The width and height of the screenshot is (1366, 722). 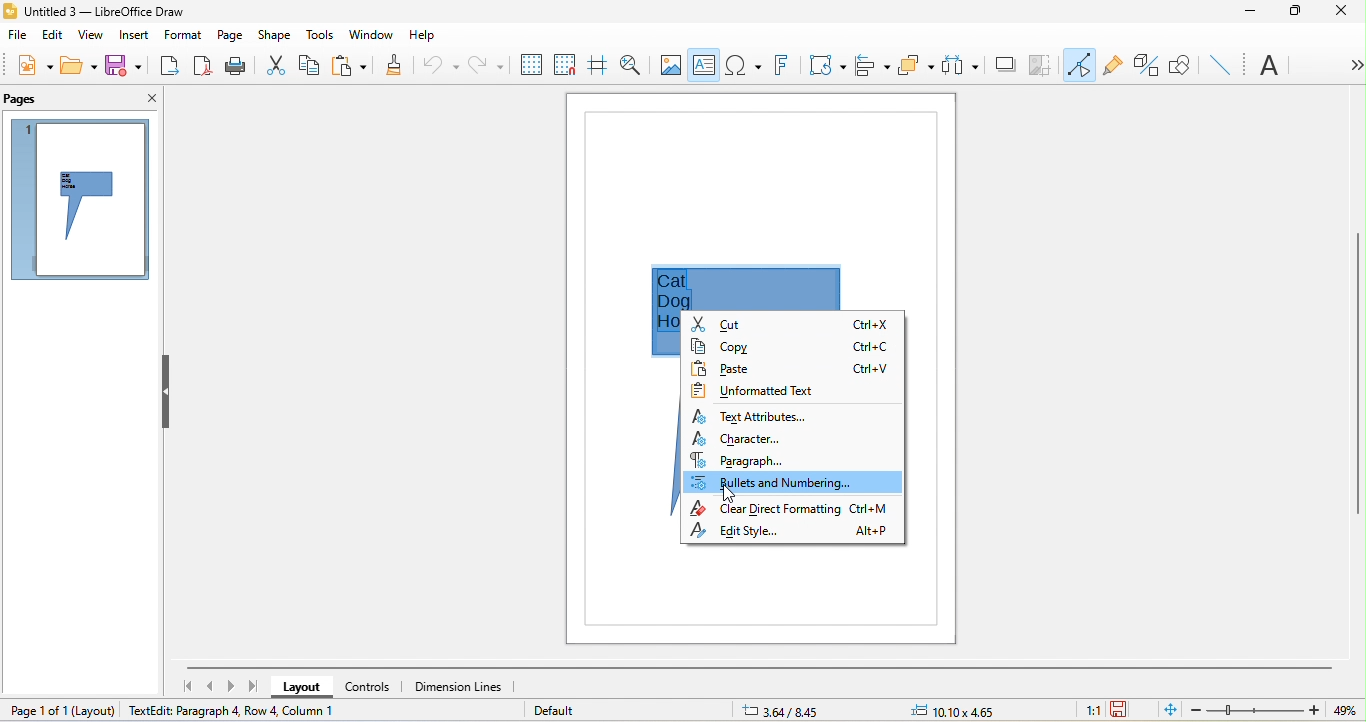 I want to click on shadow, so click(x=1004, y=68).